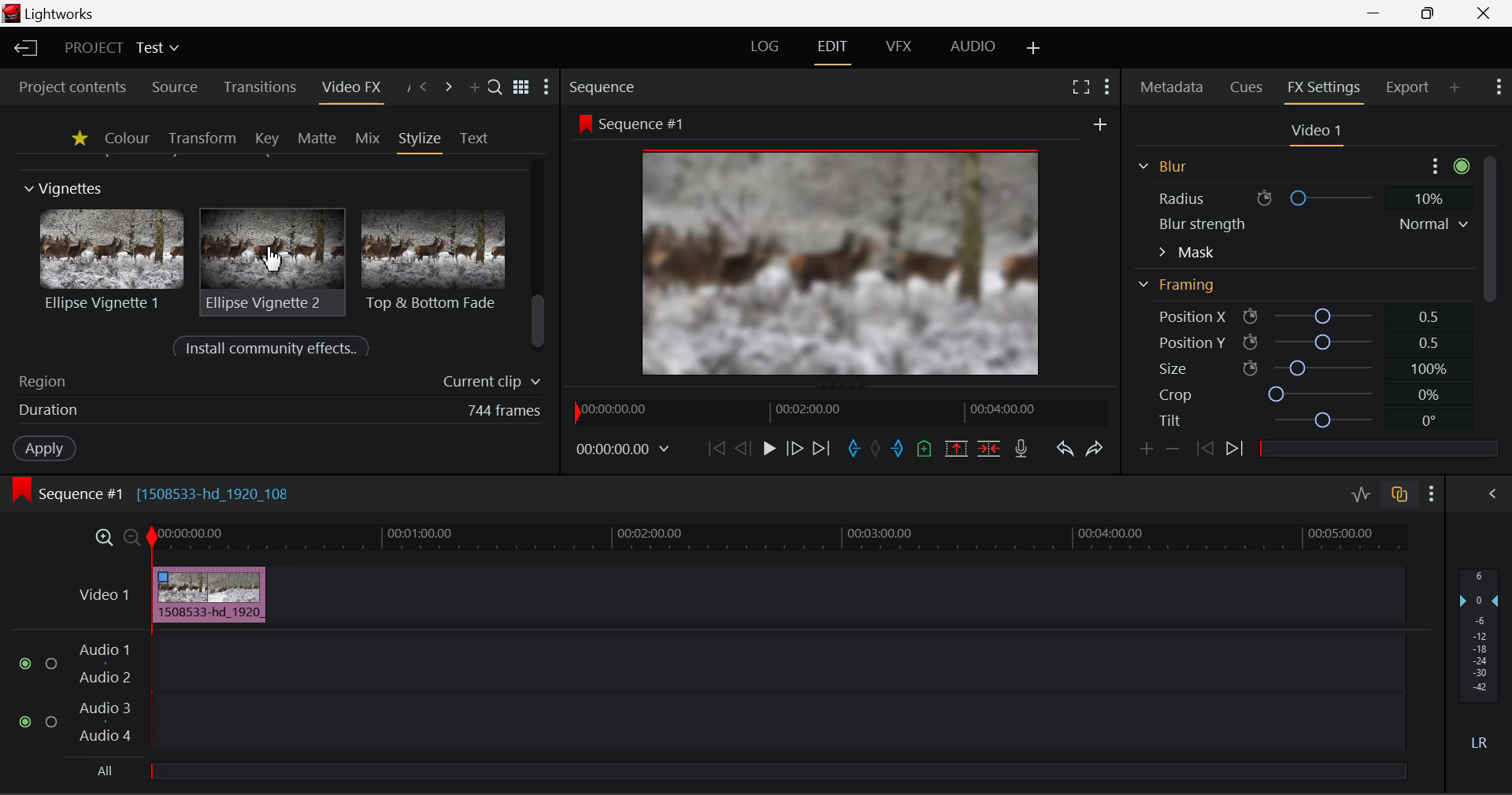 The width and height of the screenshot is (1512, 795). What do you see at coordinates (767, 449) in the screenshot?
I see `Play` at bounding box center [767, 449].